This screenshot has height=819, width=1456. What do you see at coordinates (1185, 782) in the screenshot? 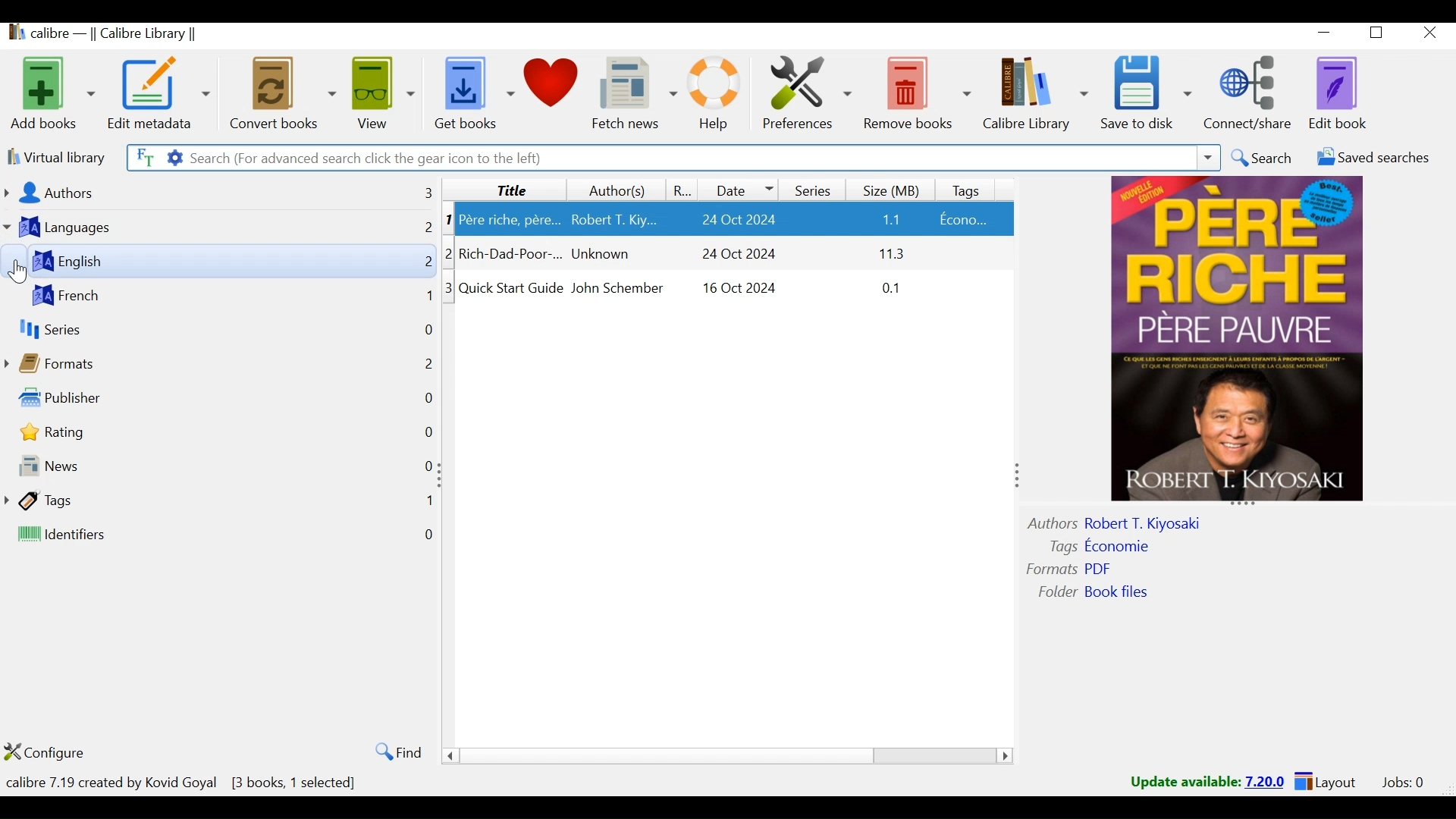
I see `update available` at bounding box center [1185, 782].